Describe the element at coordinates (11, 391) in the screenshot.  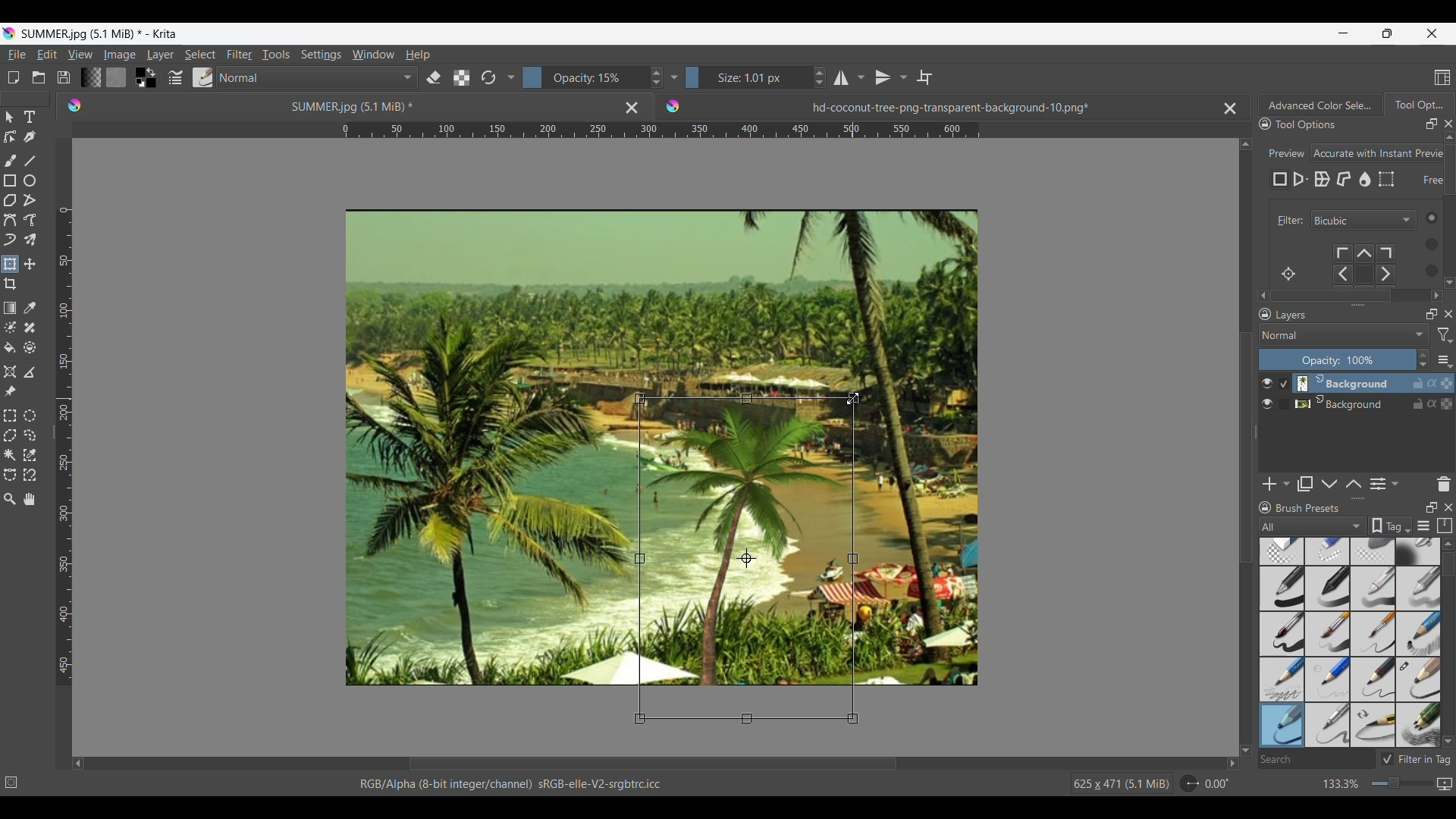
I see `Reference images tool` at that location.